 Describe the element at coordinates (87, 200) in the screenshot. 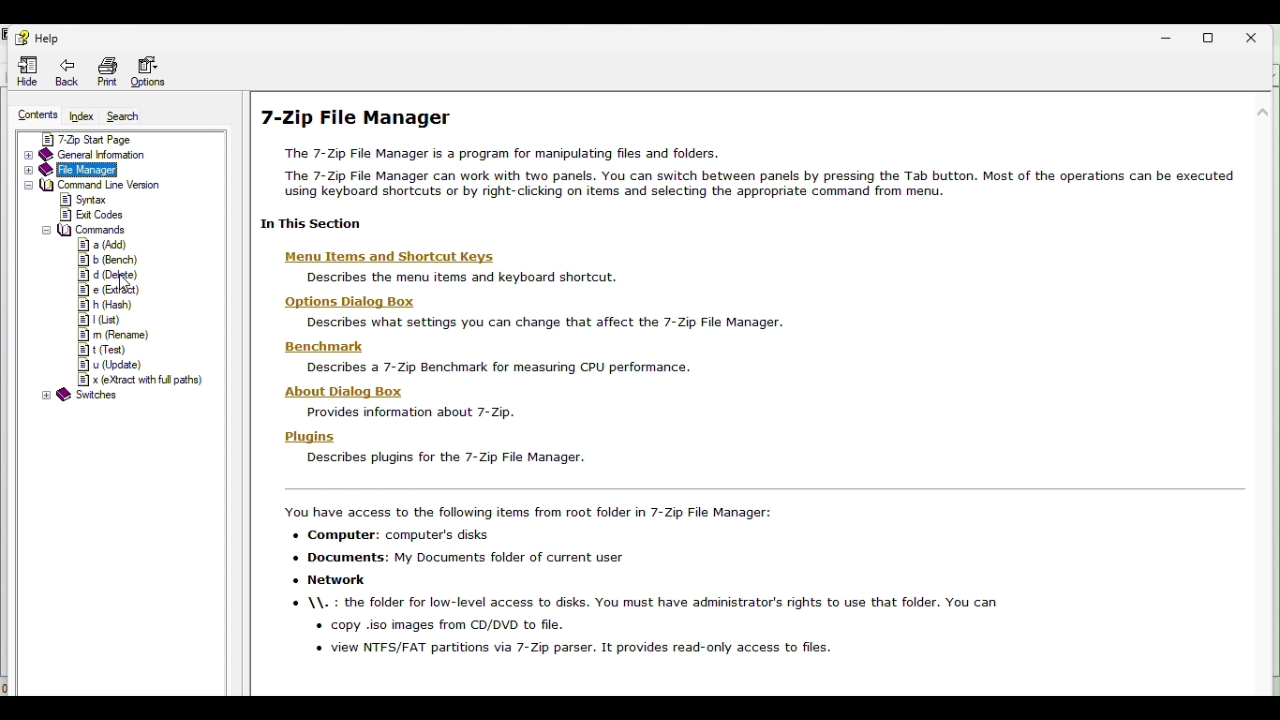

I see `syntax` at that location.